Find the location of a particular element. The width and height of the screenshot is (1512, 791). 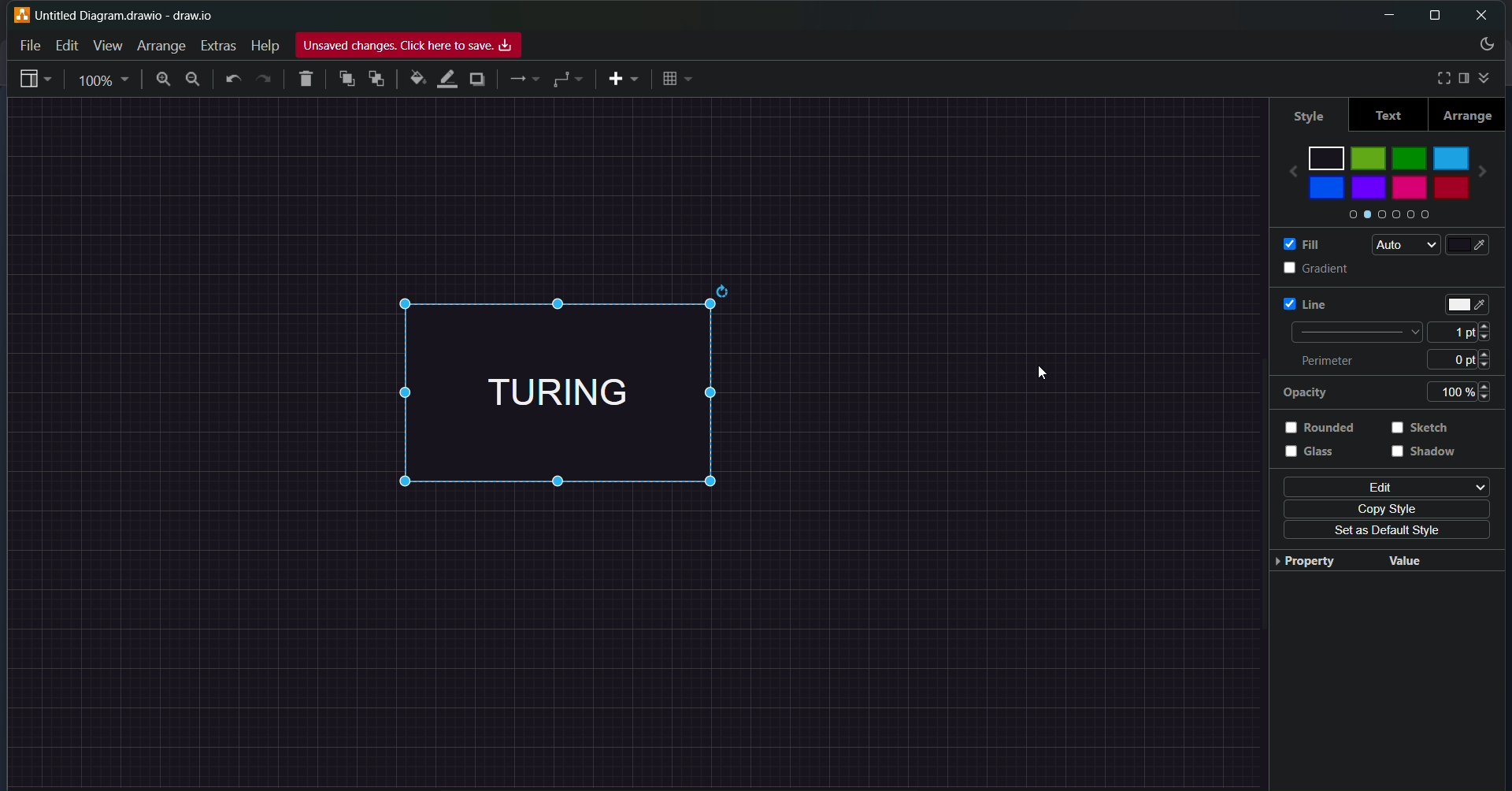

cursor is located at coordinates (1049, 371).